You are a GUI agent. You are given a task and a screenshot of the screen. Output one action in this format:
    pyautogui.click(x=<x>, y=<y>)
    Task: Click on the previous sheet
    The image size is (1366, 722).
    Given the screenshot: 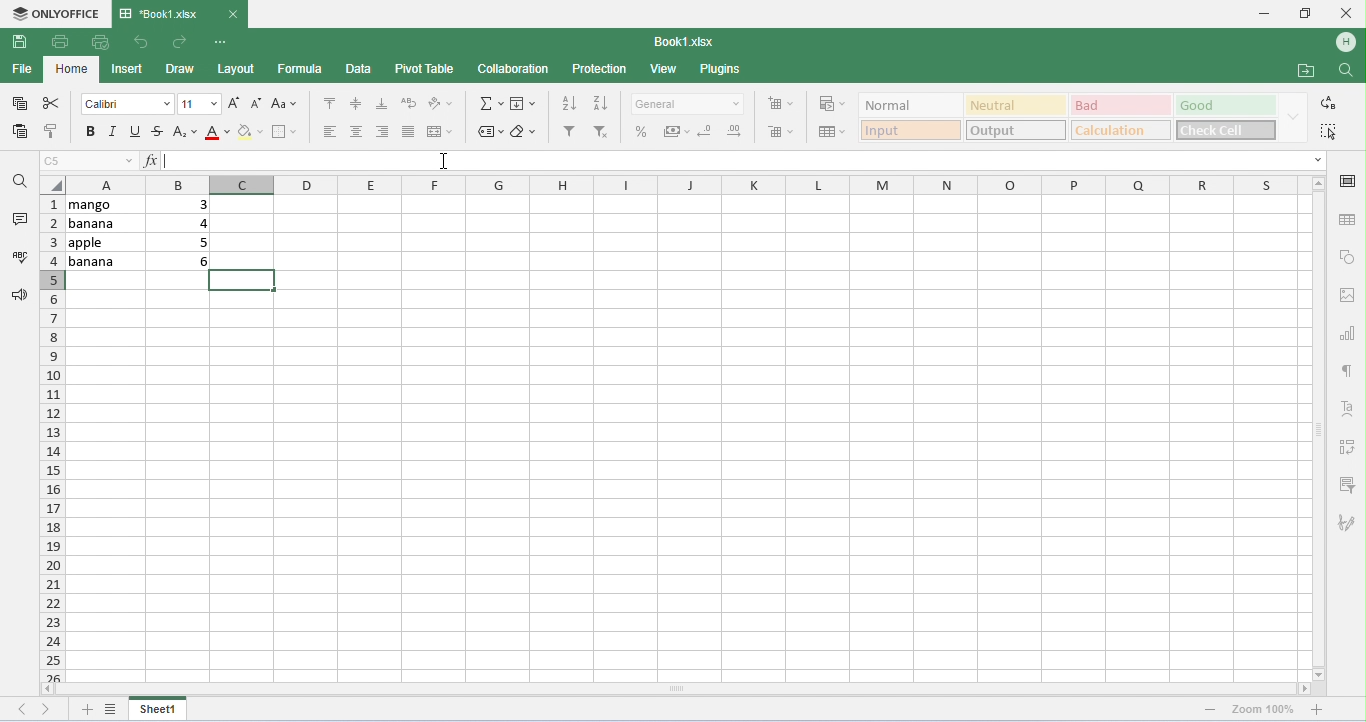 What is the action you would take?
    pyautogui.click(x=24, y=707)
    